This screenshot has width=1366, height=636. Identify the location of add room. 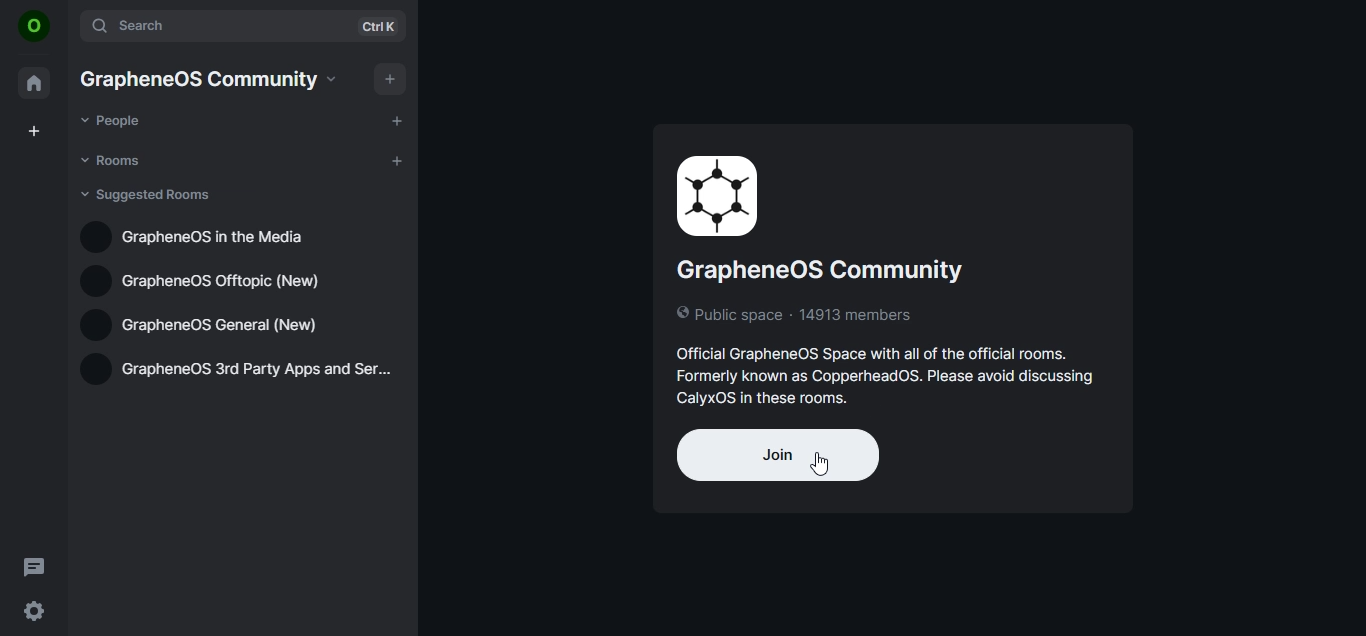
(398, 159).